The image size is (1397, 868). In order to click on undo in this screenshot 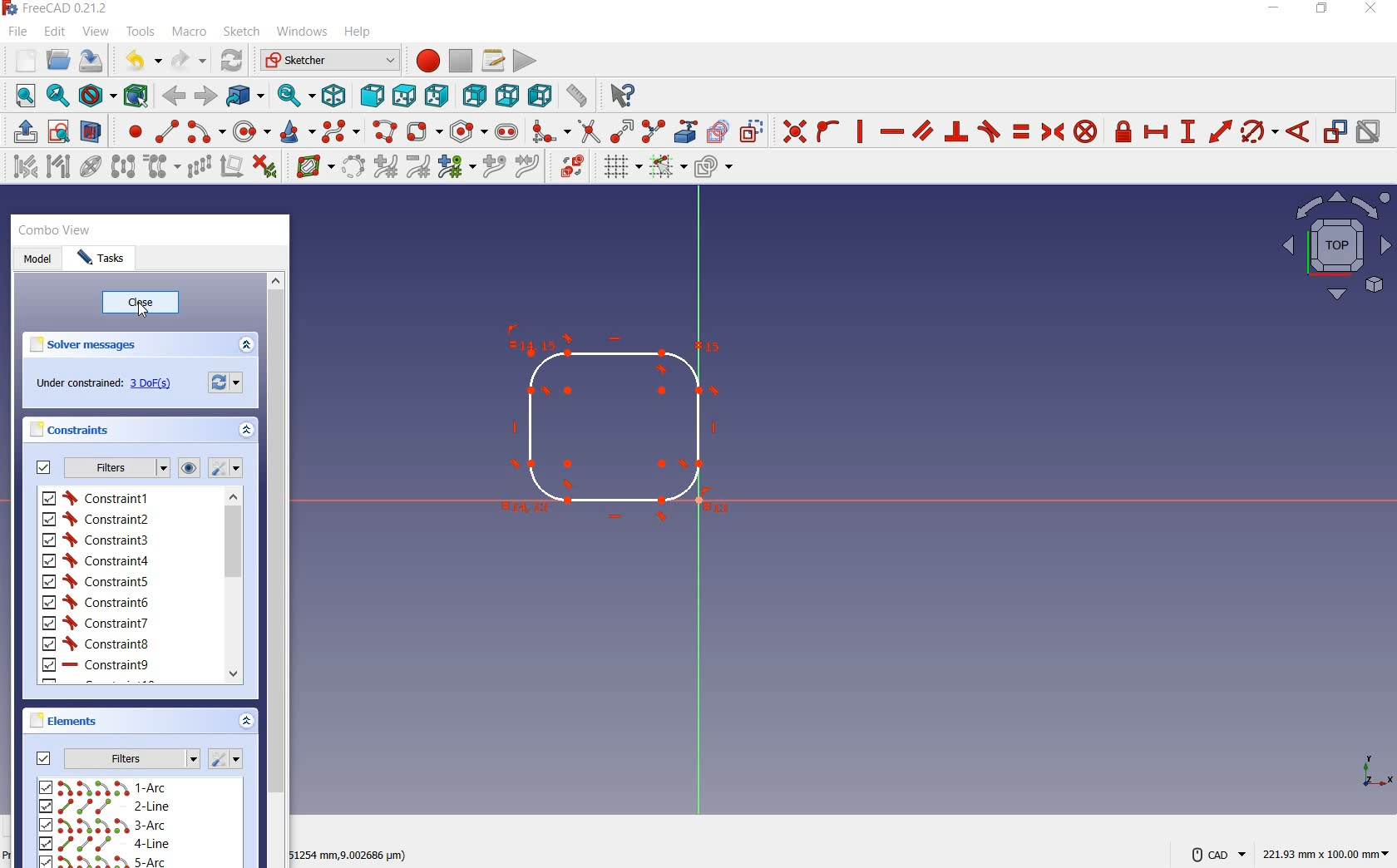, I will do `click(142, 61)`.